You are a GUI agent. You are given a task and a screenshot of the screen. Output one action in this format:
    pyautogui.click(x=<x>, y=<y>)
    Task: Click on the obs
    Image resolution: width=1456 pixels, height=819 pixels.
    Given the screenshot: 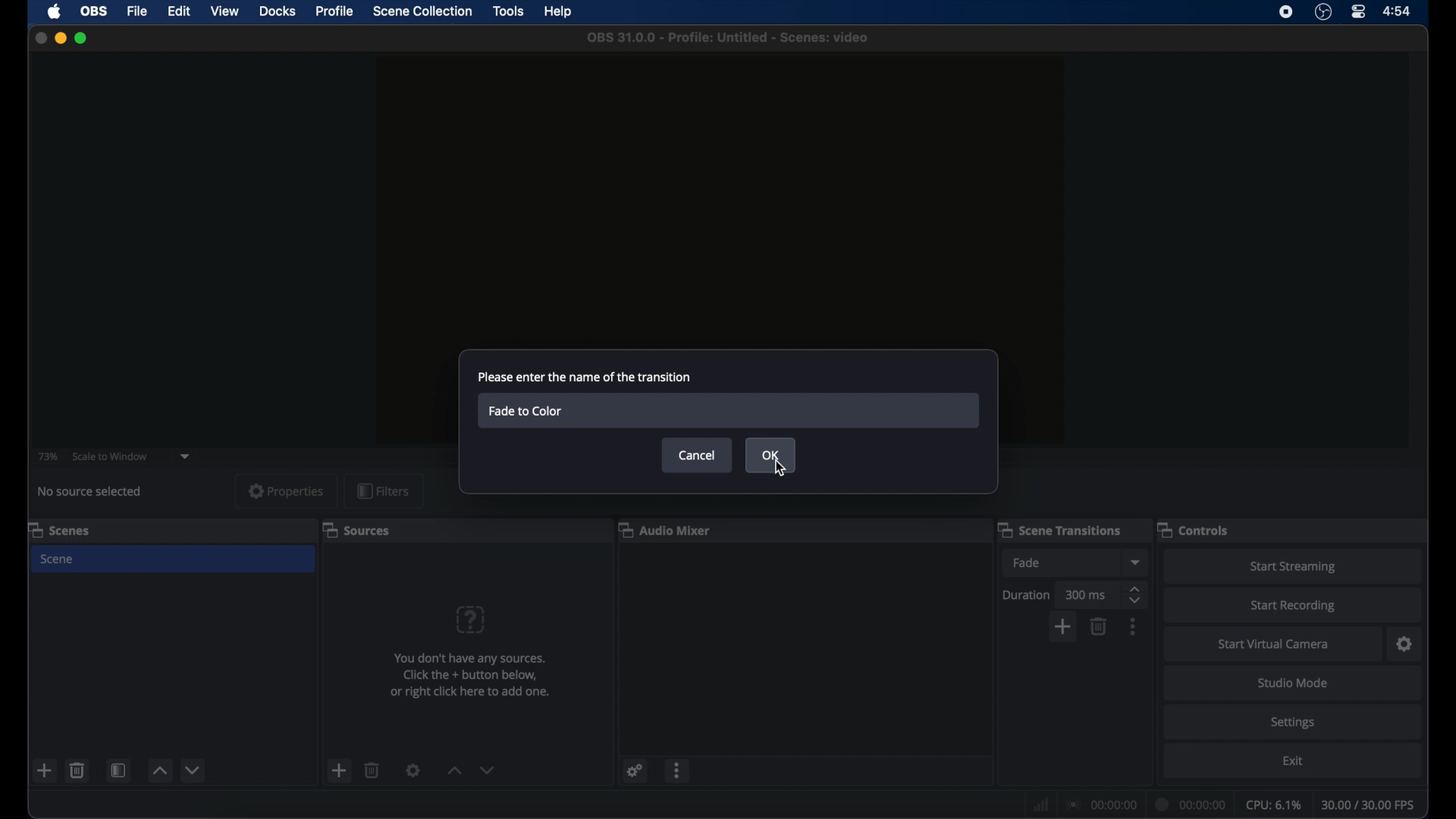 What is the action you would take?
    pyautogui.click(x=93, y=11)
    